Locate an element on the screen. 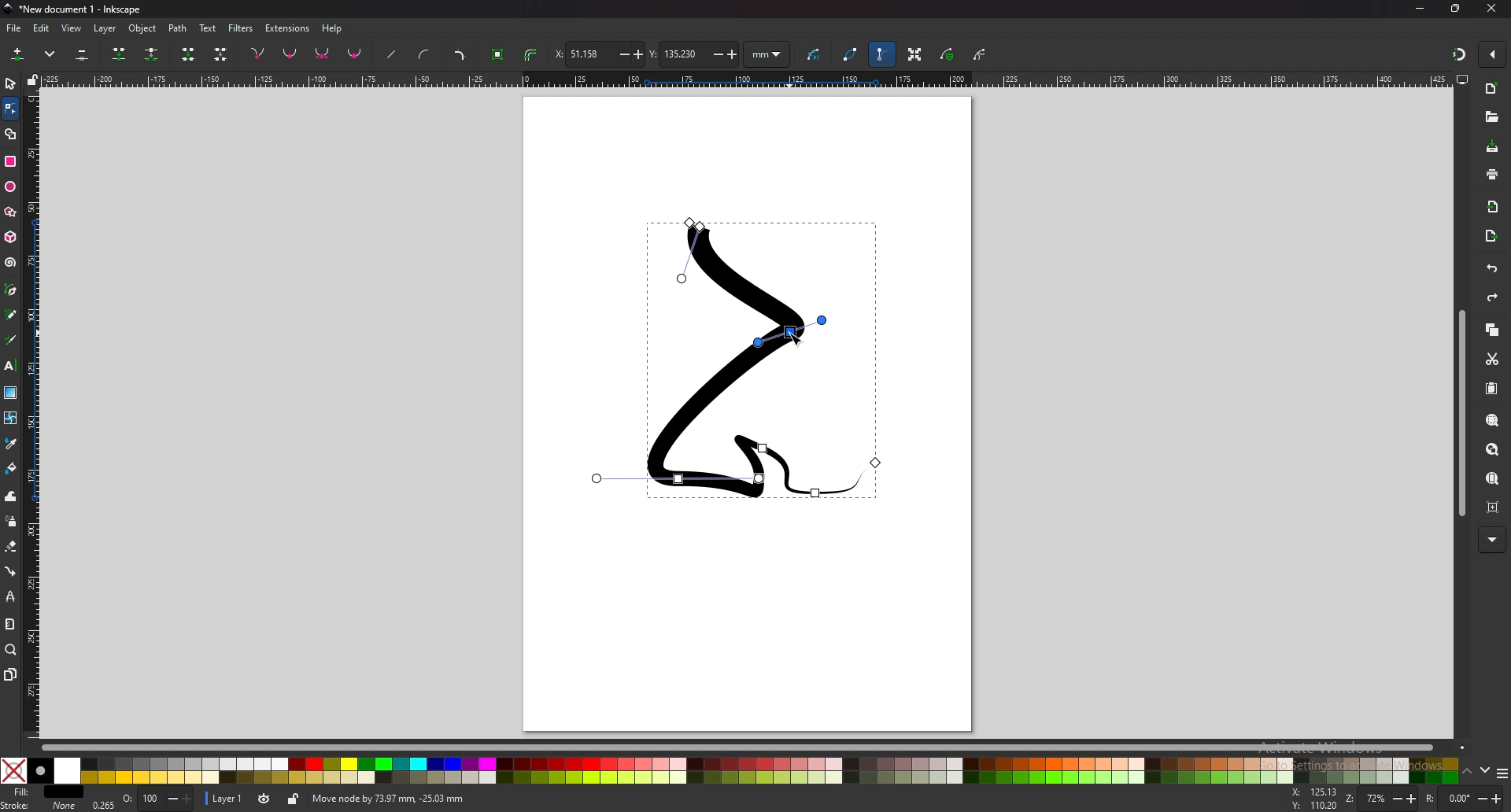 This screenshot has width=1511, height=812. ellipse is located at coordinates (12, 186).